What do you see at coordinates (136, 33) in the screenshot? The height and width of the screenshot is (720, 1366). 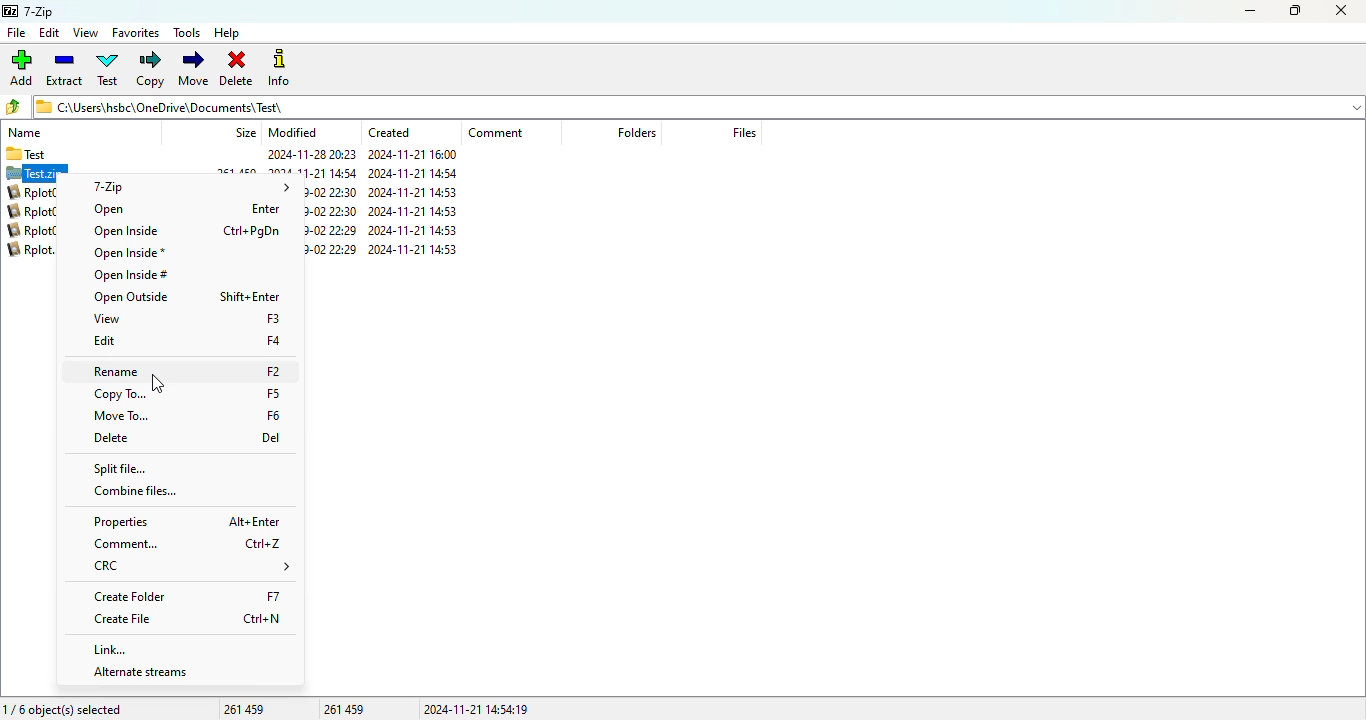 I see `favorites` at bounding box center [136, 33].